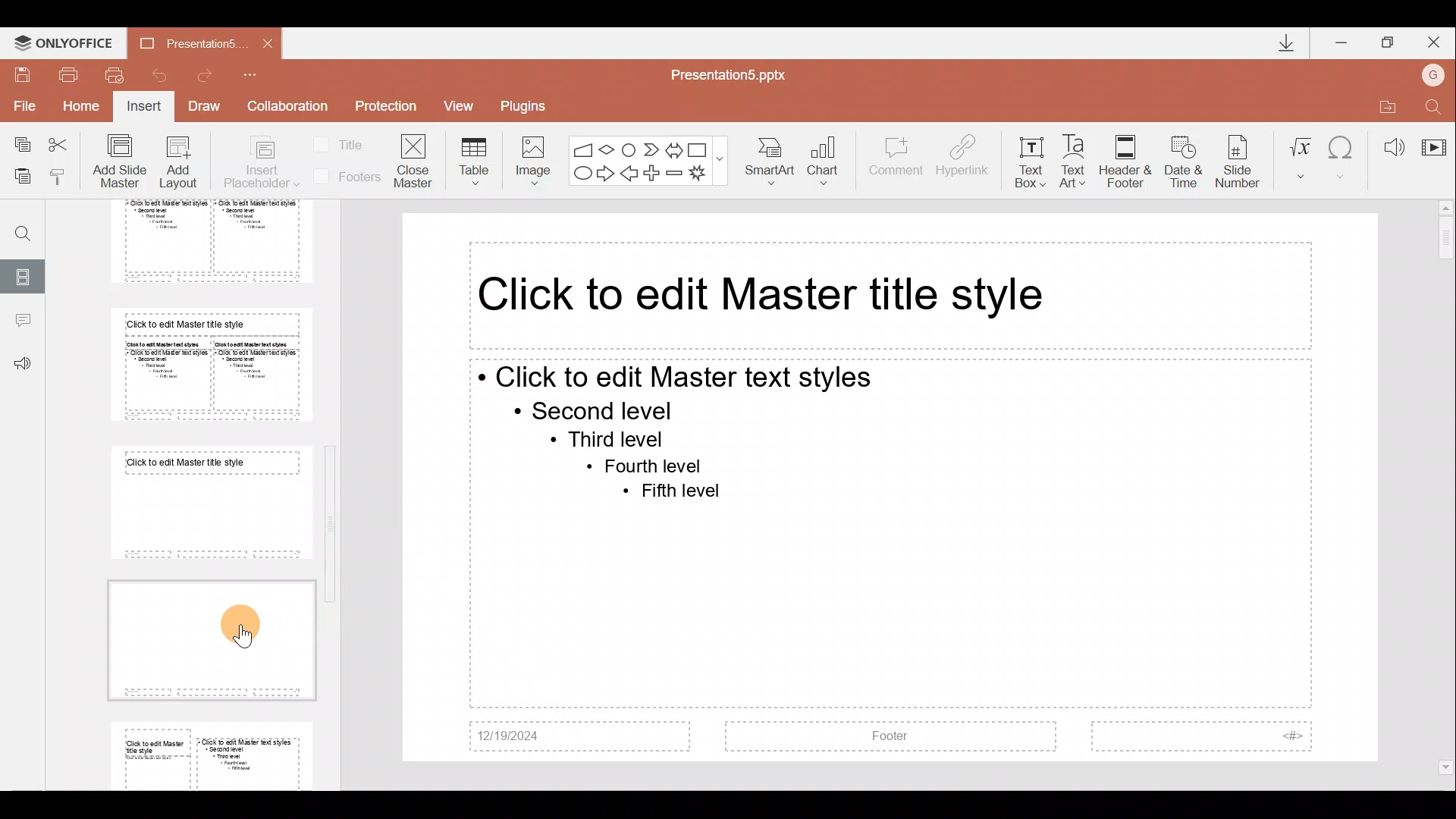 The image size is (1456, 819). What do you see at coordinates (1280, 42) in the screenshot?
I see `Downloads` at bounding box center [1280, 42].